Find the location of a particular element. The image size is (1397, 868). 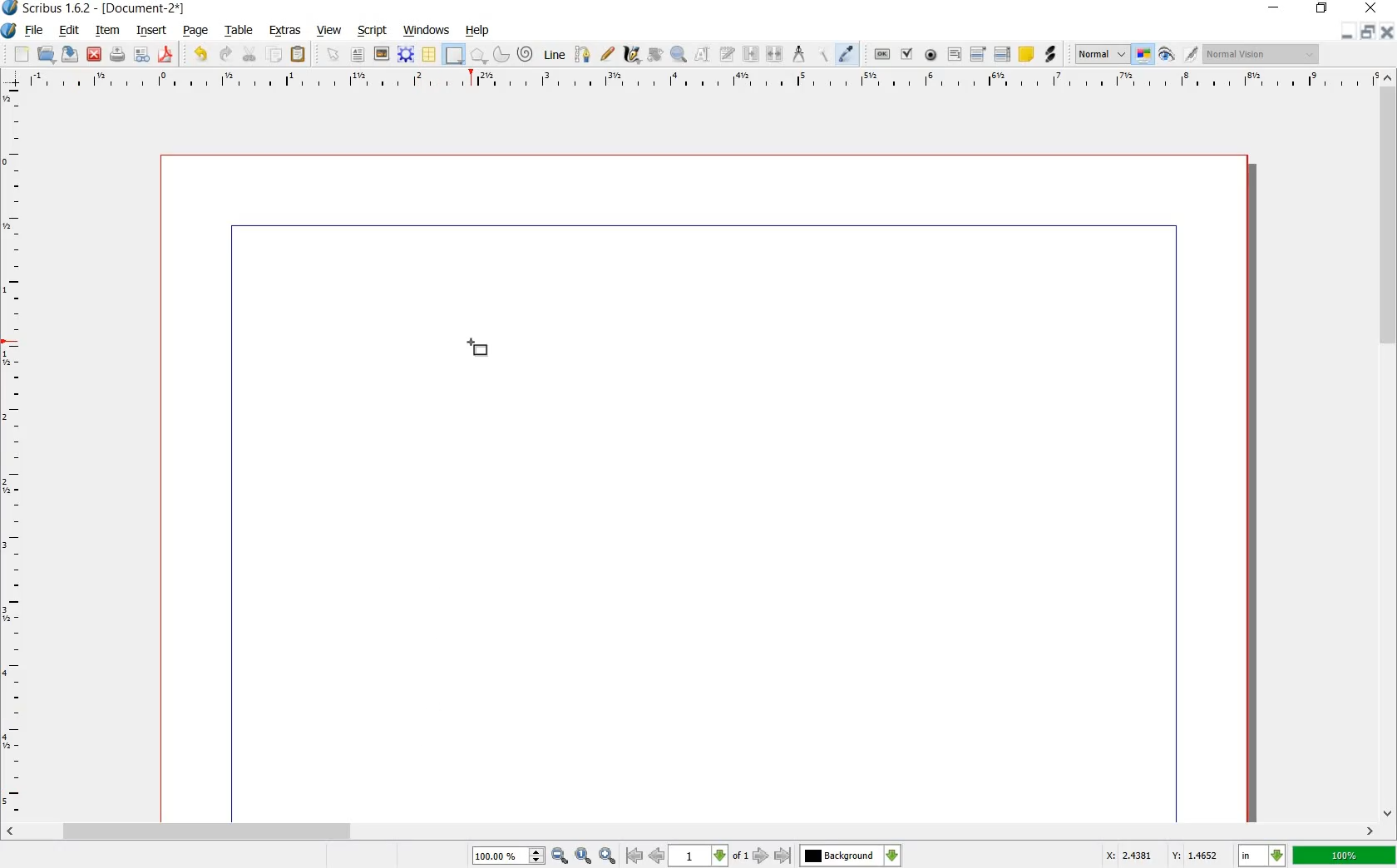

CLOSE is located at coordinates (1389, 32).